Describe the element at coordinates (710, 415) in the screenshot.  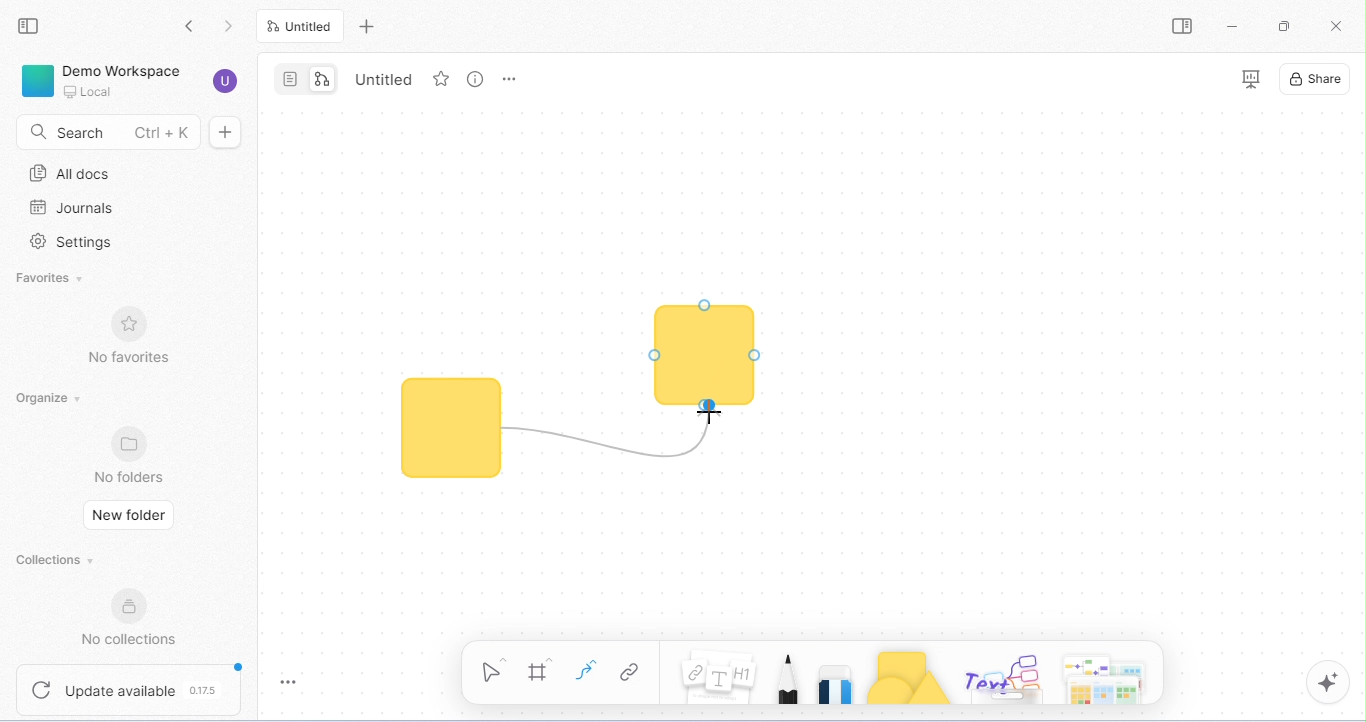
I see `cursor` at that location.